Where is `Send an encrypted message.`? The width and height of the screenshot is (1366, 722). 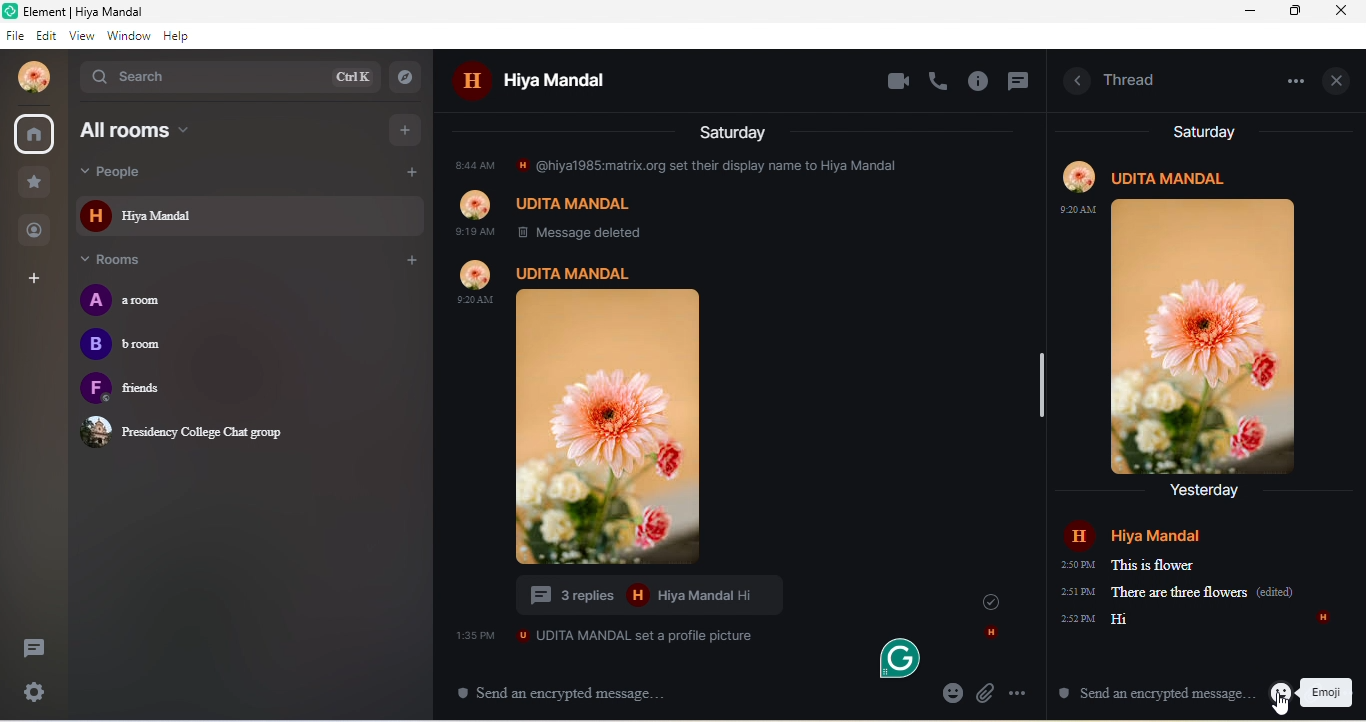 Send an encrypted message. is located at coordinates (1153, 691).